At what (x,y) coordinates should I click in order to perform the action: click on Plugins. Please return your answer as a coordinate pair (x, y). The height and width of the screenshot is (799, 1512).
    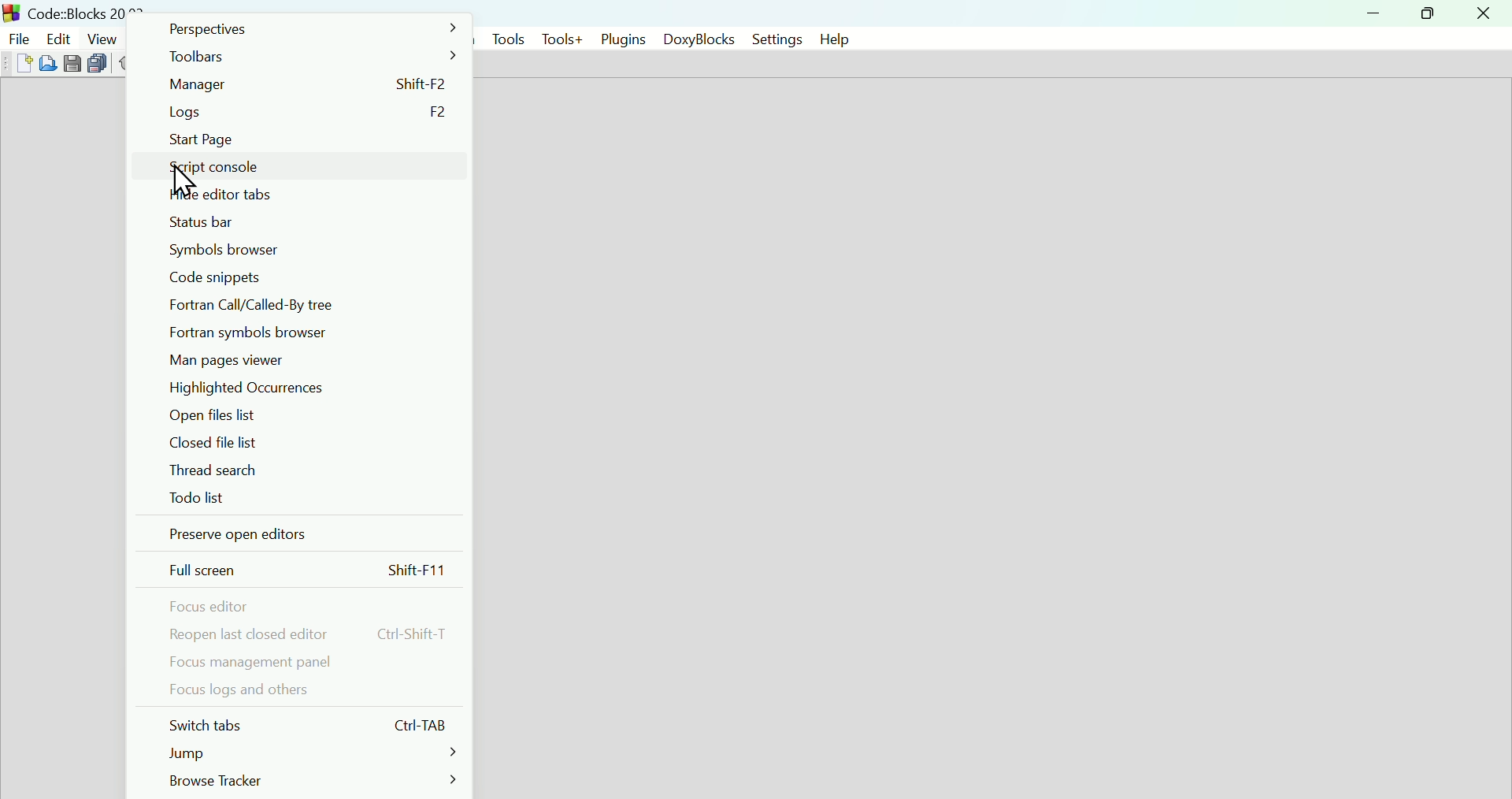
    Looking at the image, I should click on (623, 37).